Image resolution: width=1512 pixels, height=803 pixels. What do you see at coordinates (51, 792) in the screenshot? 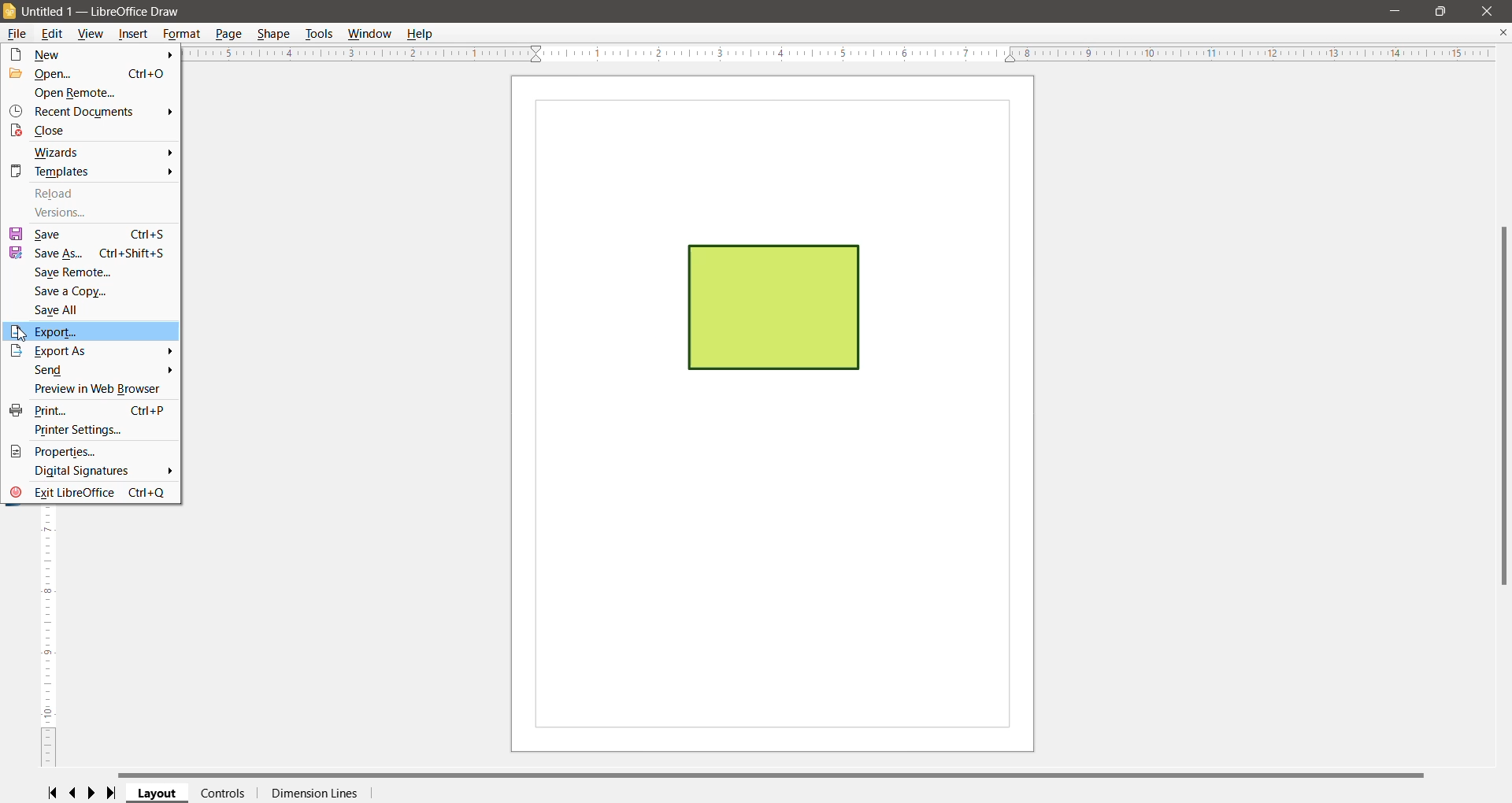
I see `Scroll to first page` at bounding box center [51, 792].